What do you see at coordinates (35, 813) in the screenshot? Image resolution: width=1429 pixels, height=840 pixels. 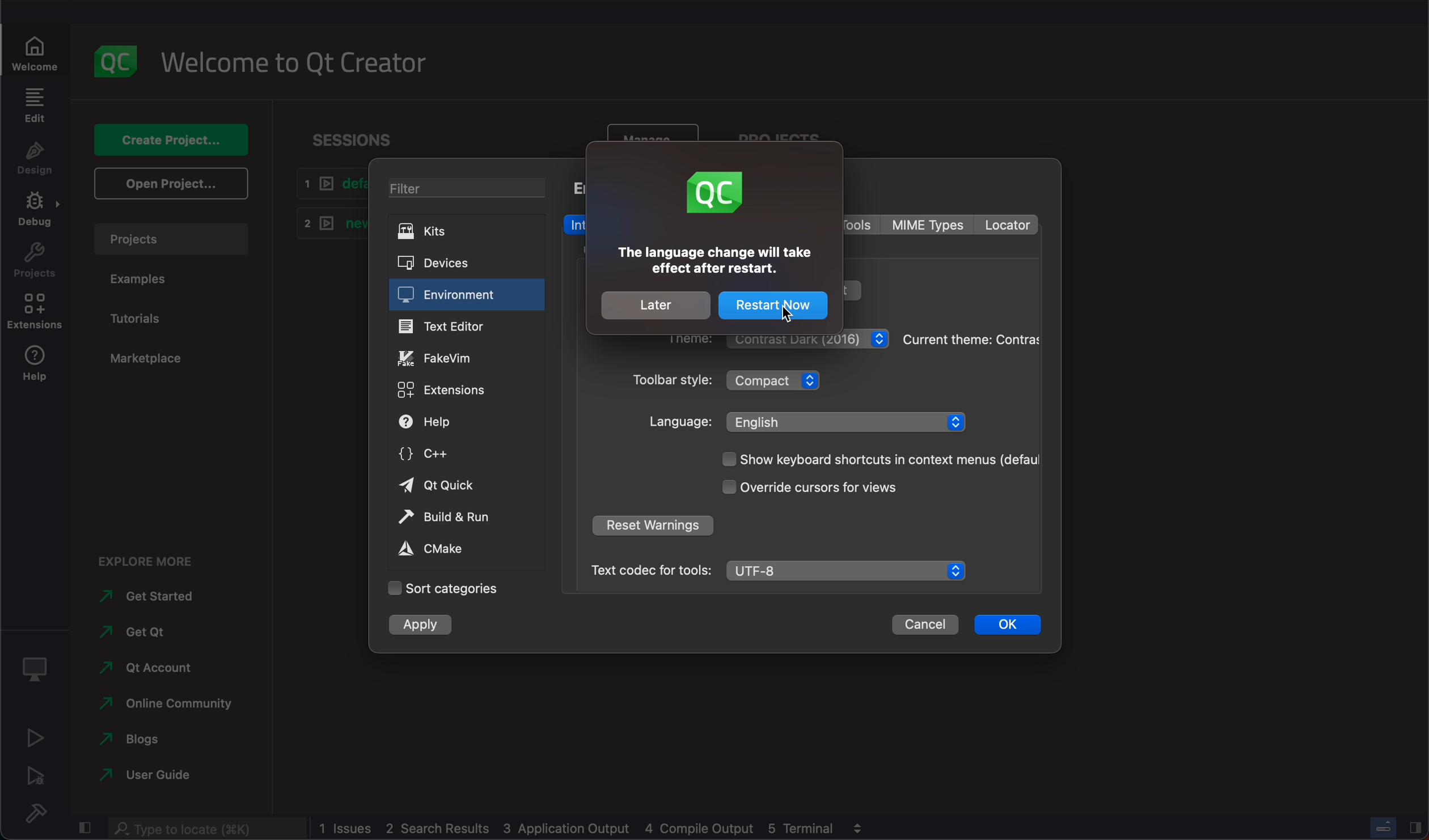 I see `build` at bounding box center [35, 813].